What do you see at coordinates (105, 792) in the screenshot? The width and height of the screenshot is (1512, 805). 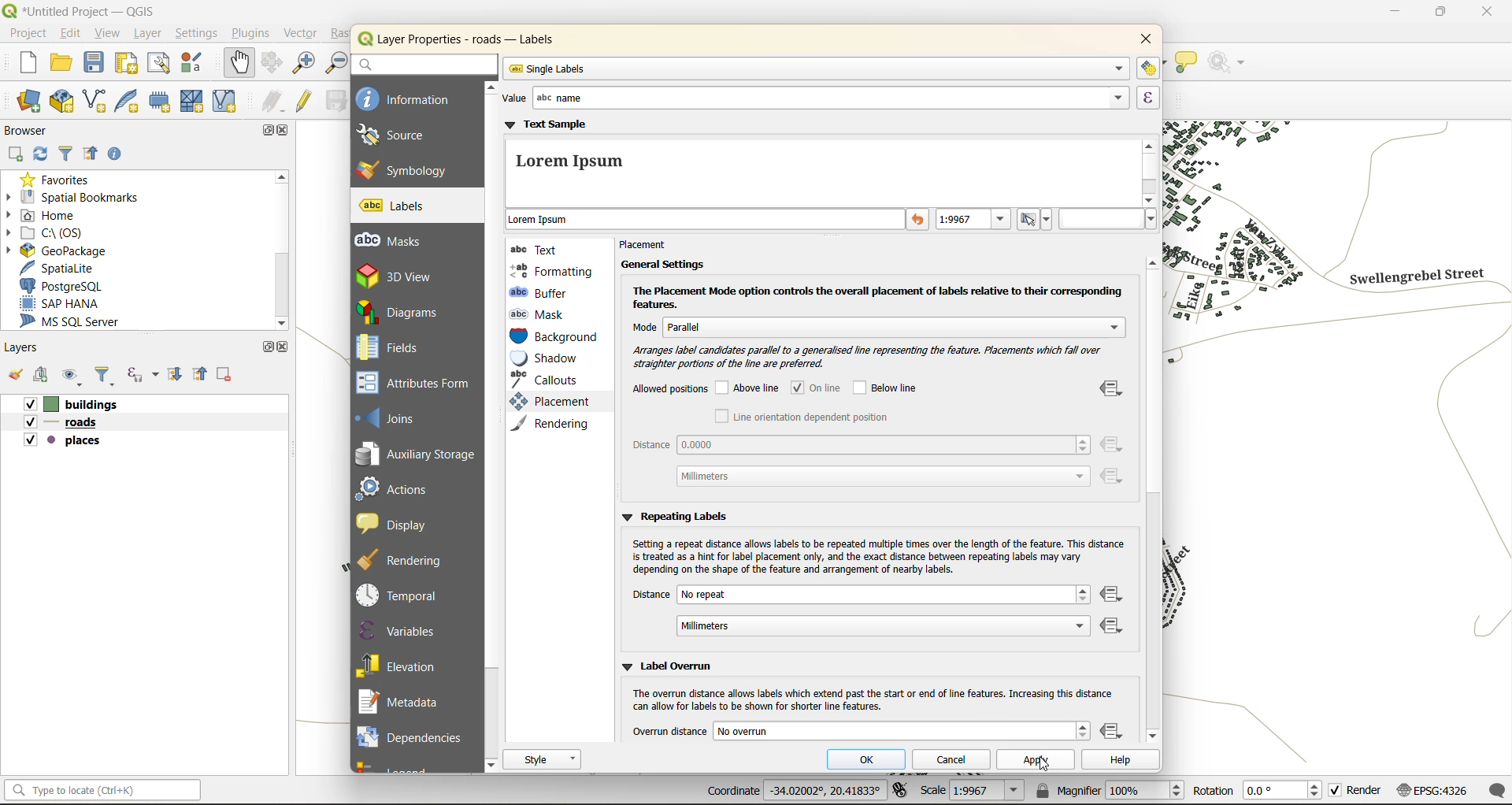 I see `status bar` at bounding box center [105, 792].